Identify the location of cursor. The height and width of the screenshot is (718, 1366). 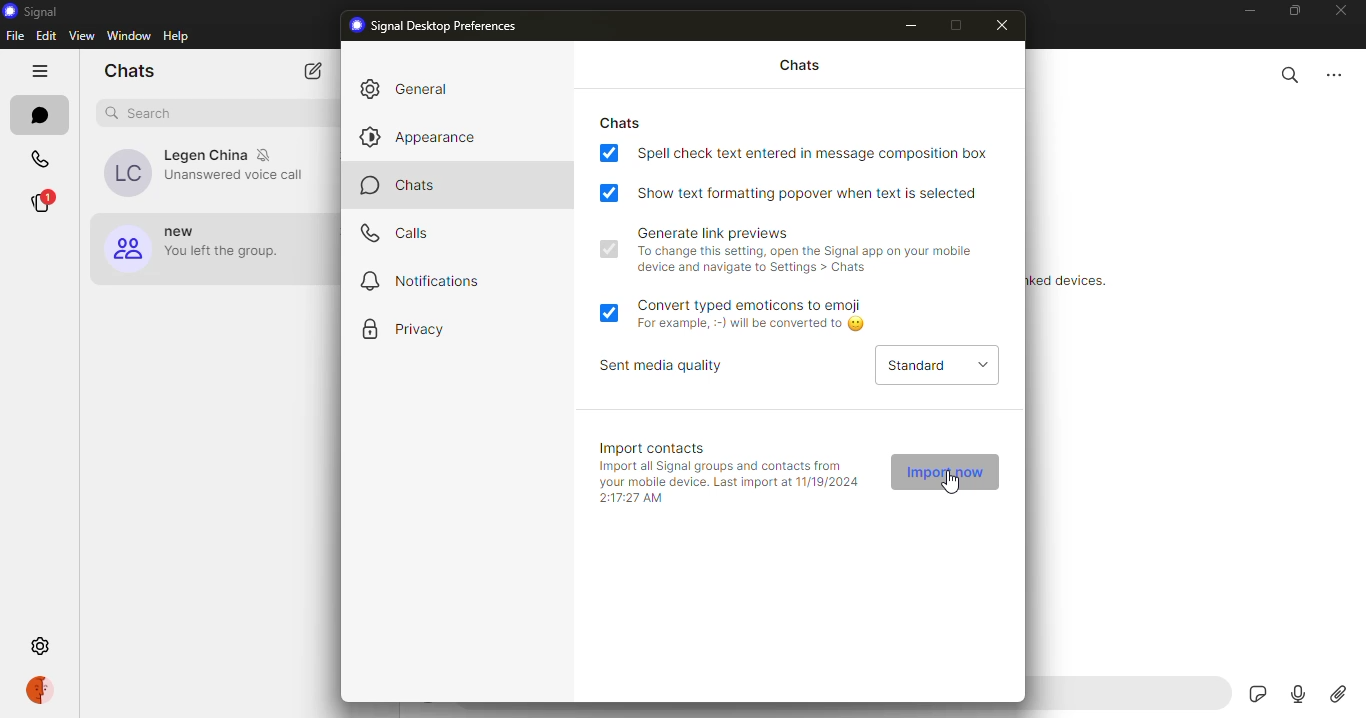
(949, 483).